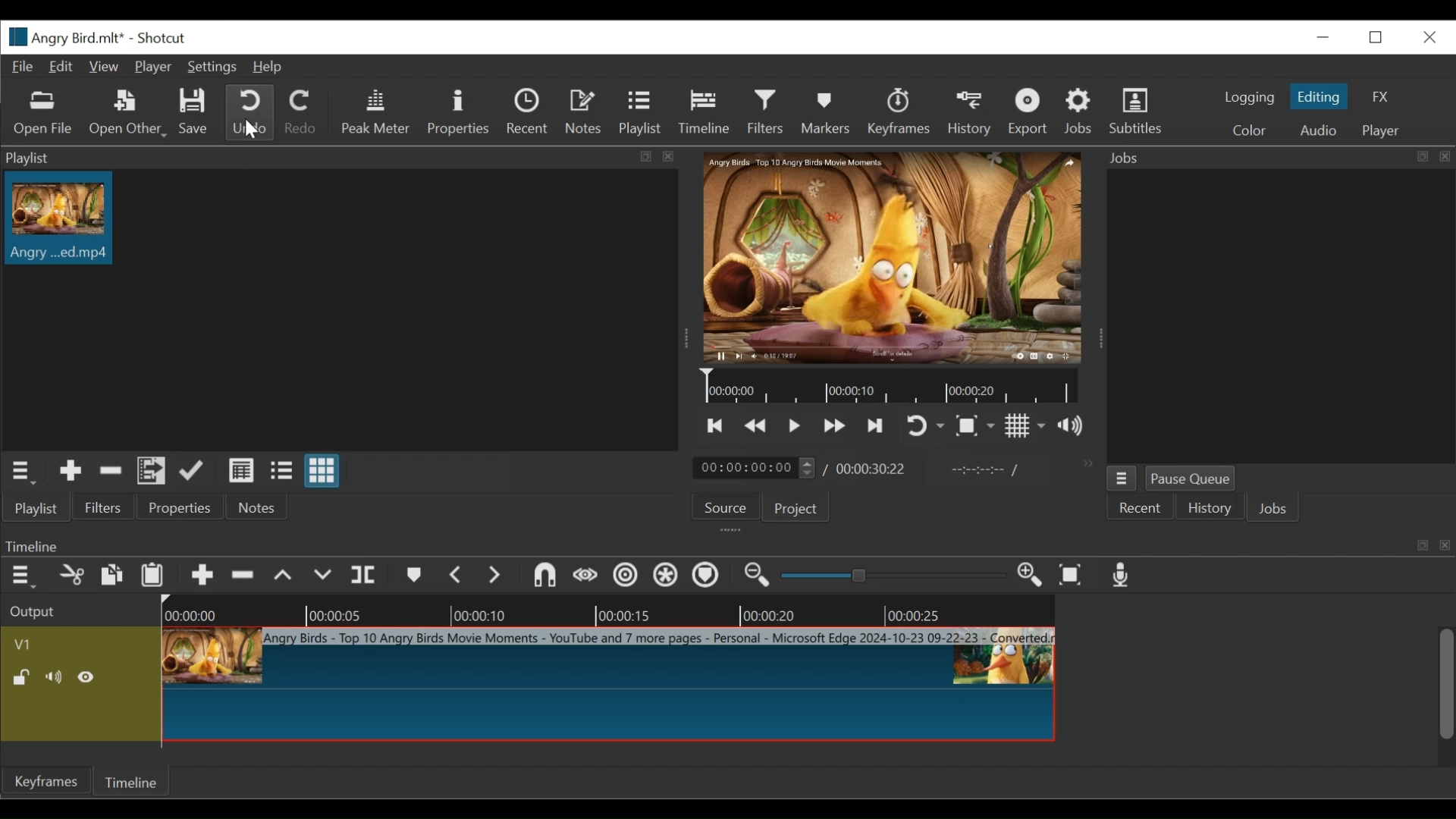  Describe the element at coordinates (111, 470) in the screenshot. I see `Remove cut` at that location.